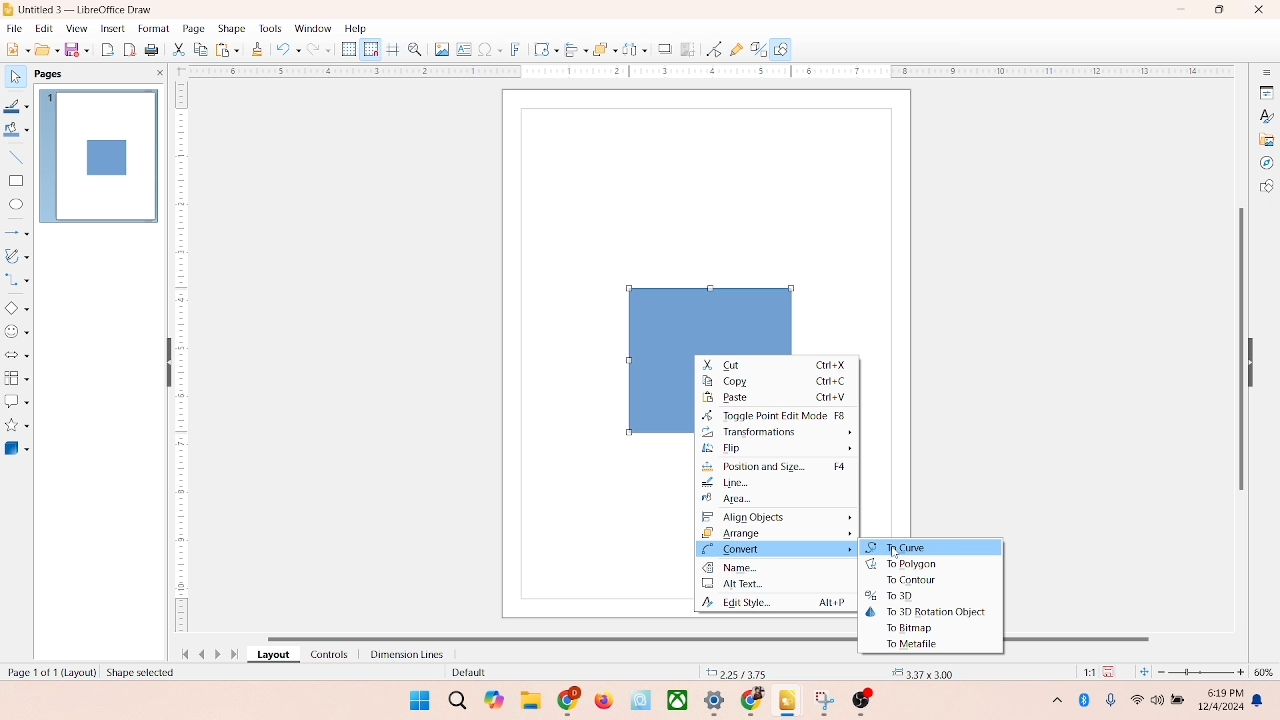 The image size is (1280, 720). I want to click on to curve, so click(931, 549).